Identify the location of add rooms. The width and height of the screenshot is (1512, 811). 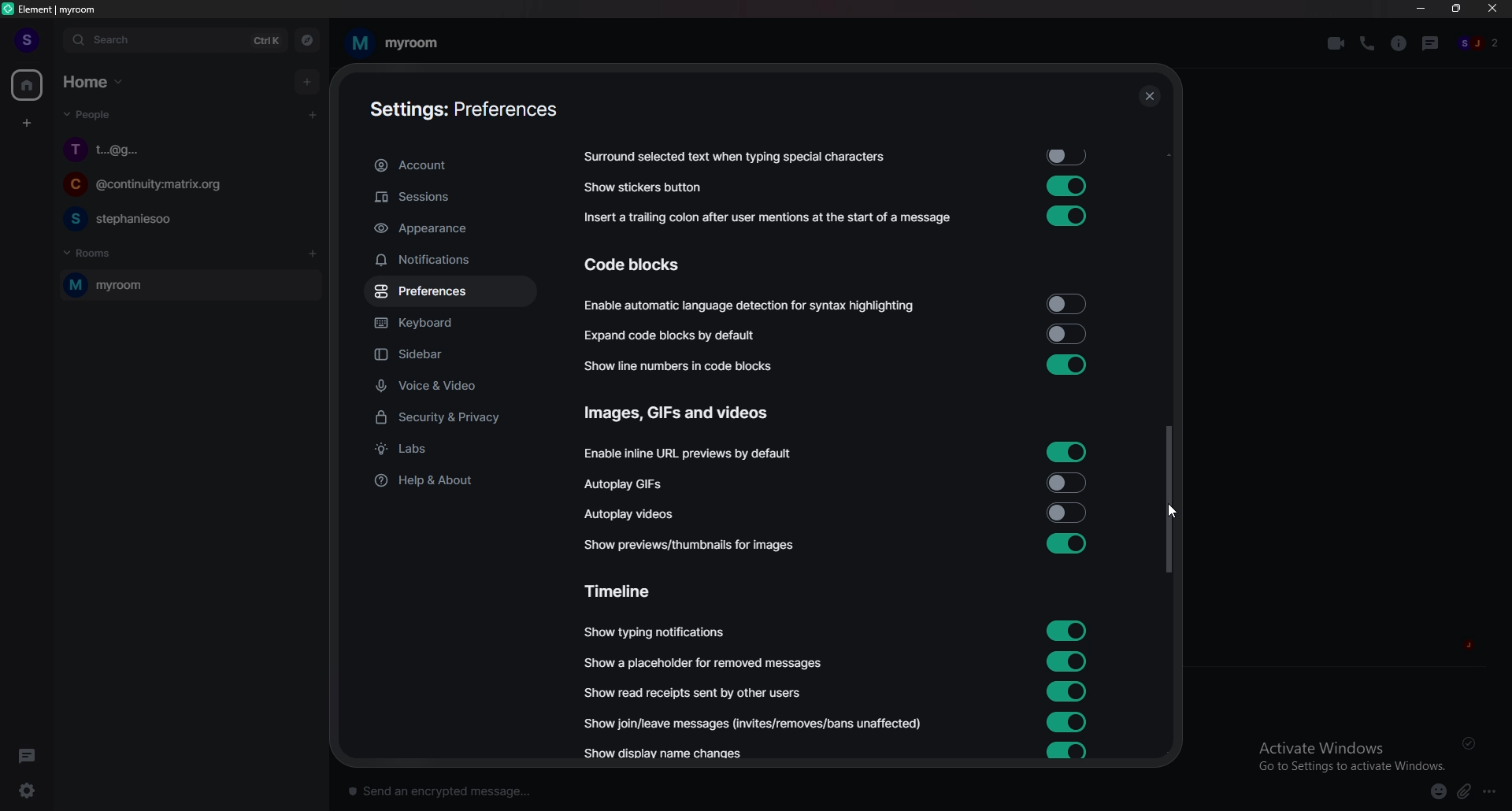
(313, 254).